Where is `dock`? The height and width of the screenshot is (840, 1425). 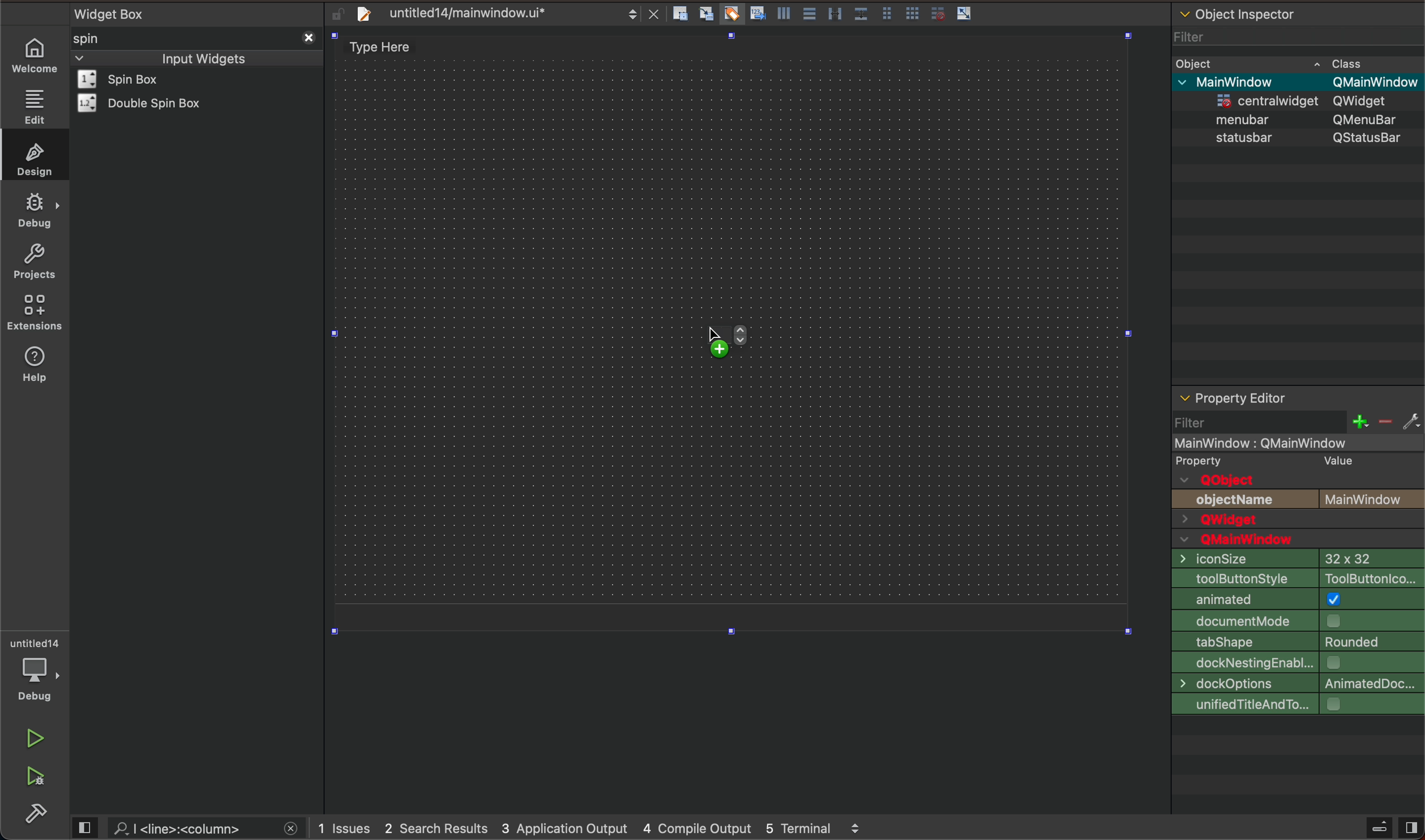
dock is located at coordinates (1296, 663).